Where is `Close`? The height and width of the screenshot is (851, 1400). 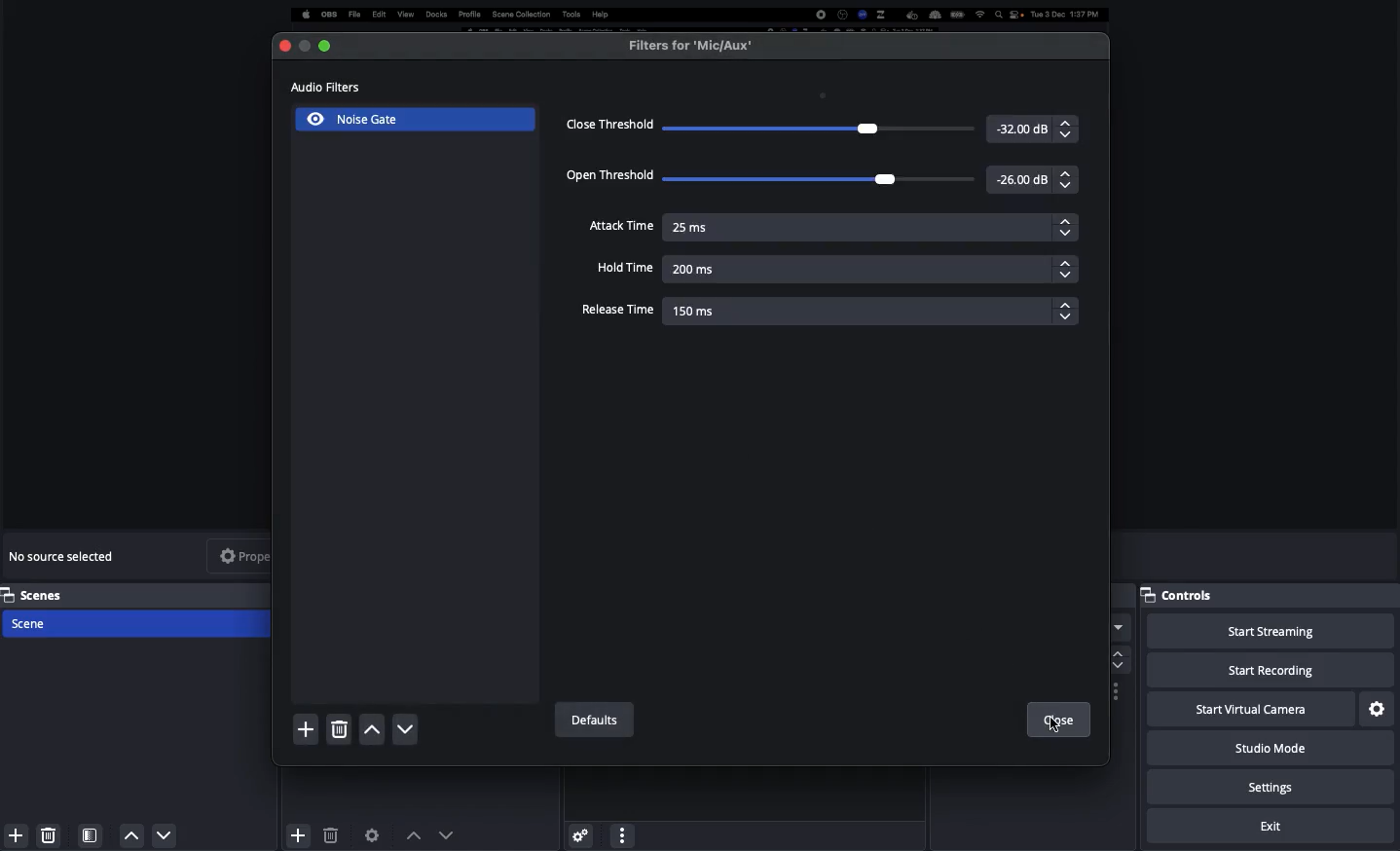
Close is located at coordinates (1057, 721).